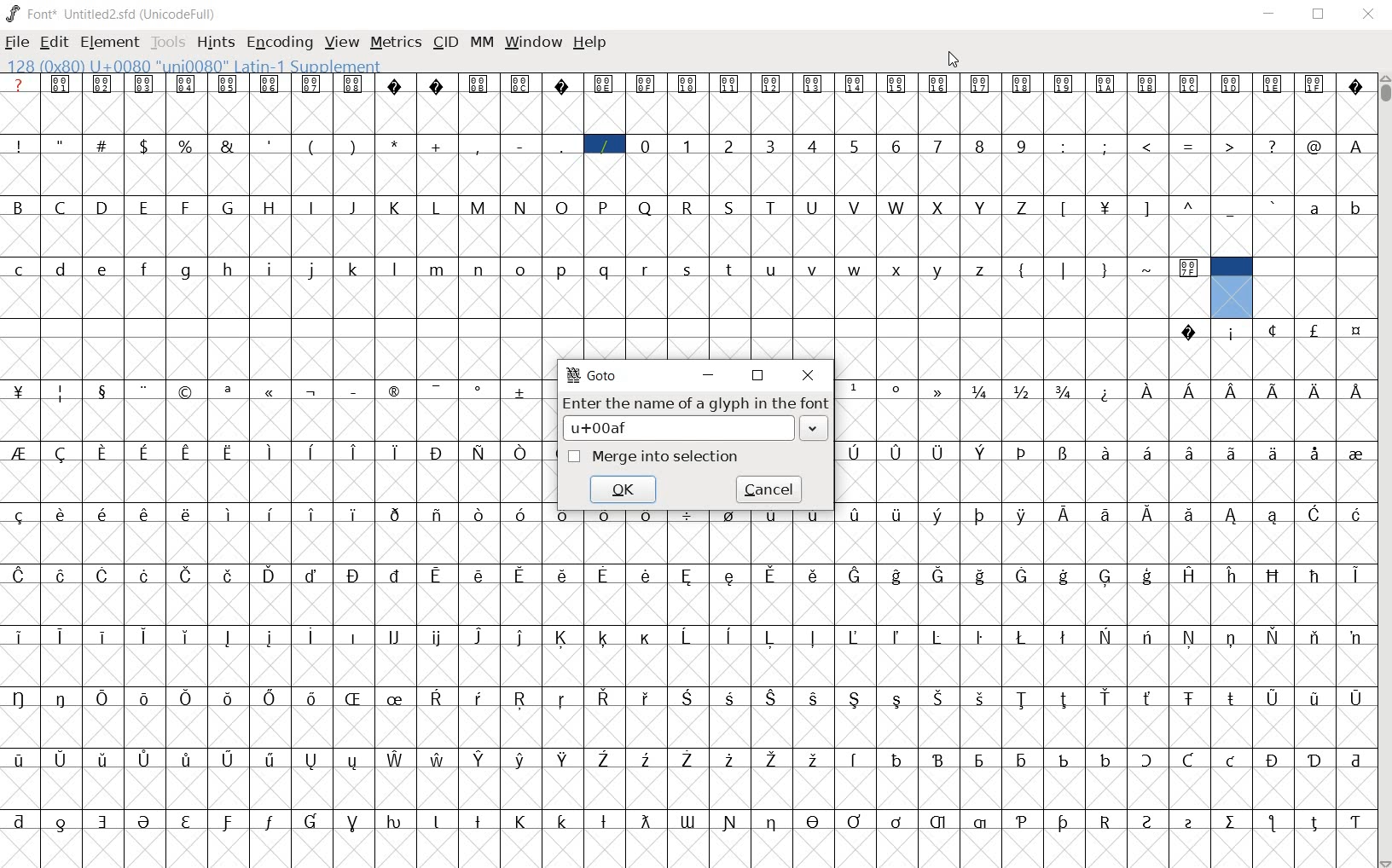 The height and width of the screenshot is (868, 1392). I want to click on Symbol, so click(1314, 512).